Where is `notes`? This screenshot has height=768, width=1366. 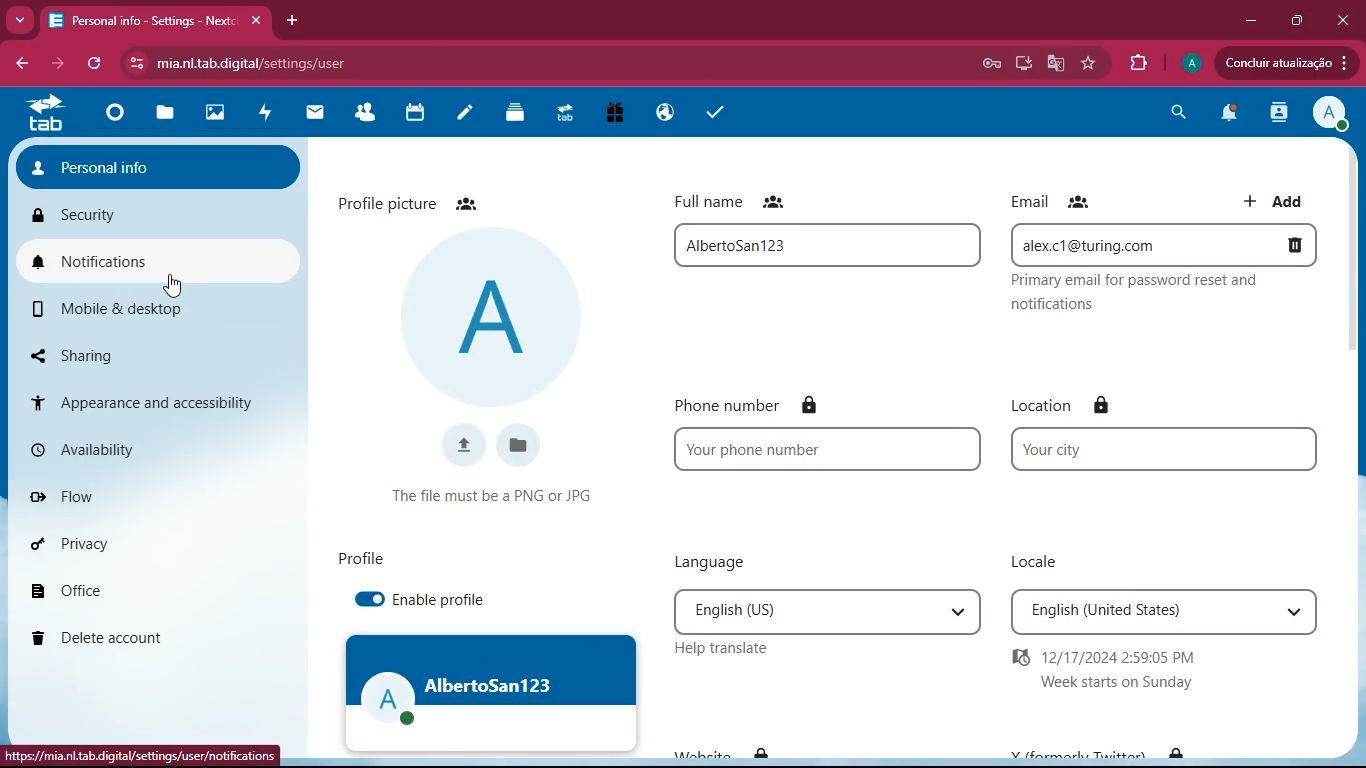
notes is located at coordinates (465, 116).